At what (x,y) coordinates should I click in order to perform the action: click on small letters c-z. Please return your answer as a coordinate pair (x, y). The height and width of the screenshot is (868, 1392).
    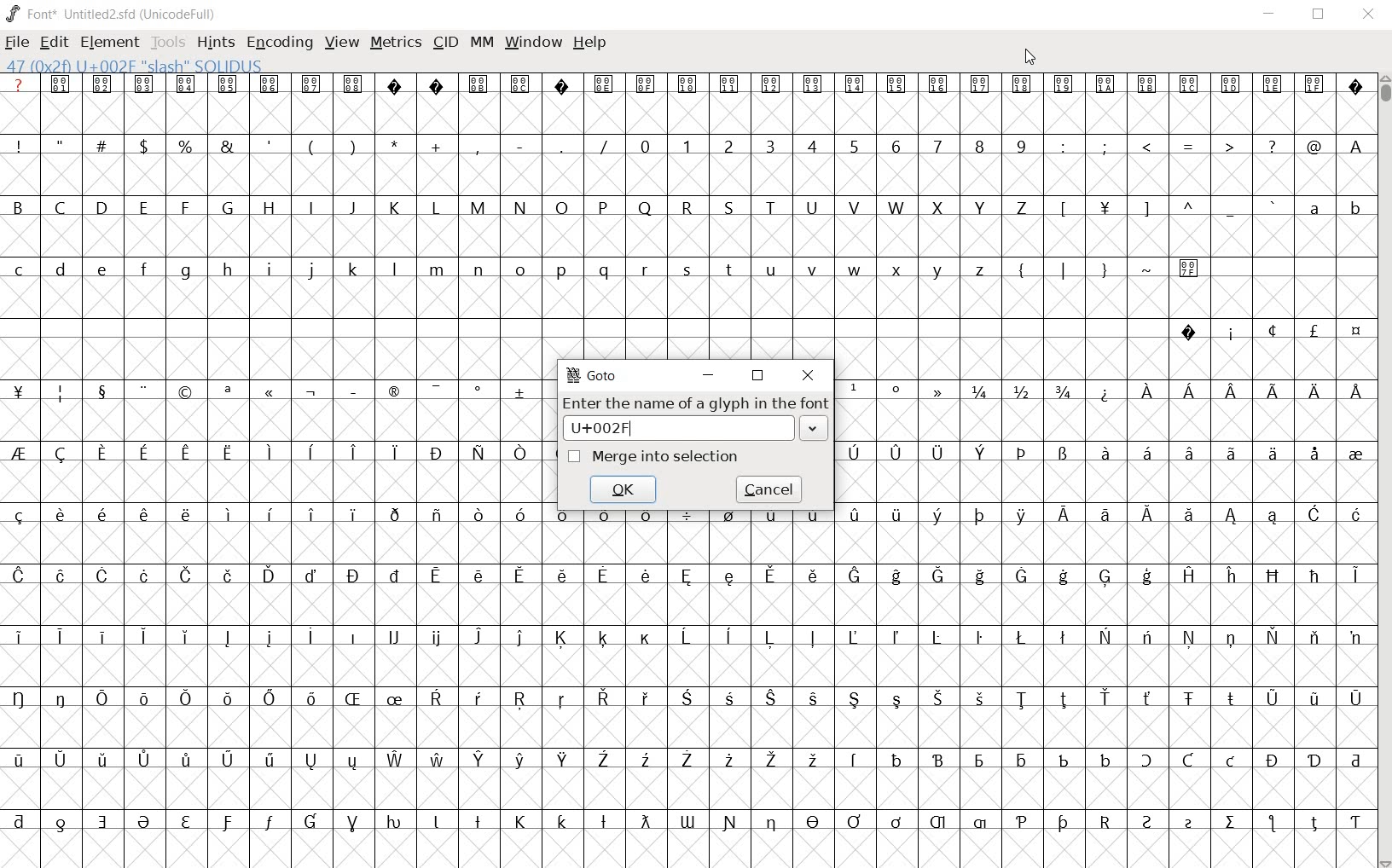
    Looking at the image, I should click on (506, 268).